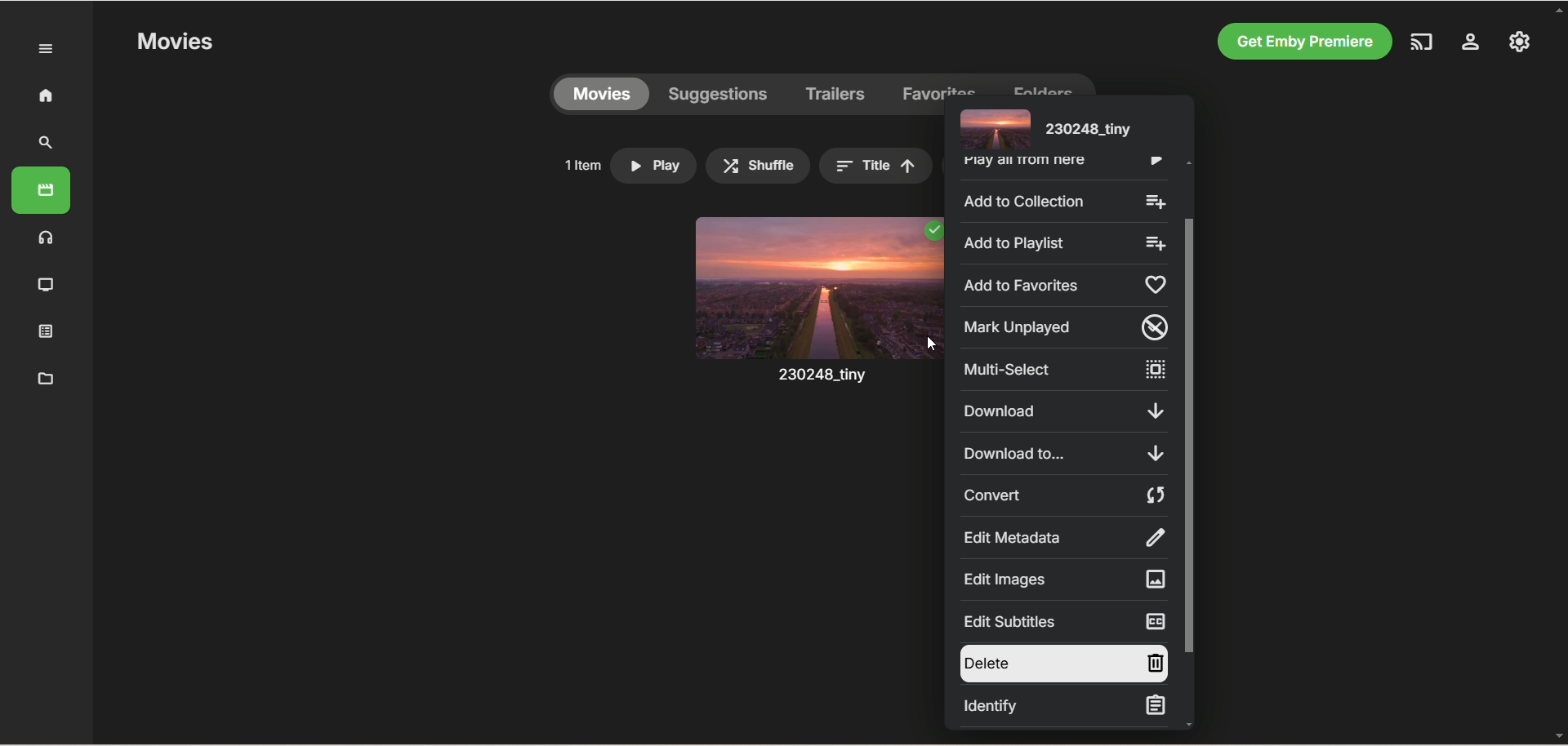 The width and height of the screenshot is (1568, 746). What do you see at coordinates (719, 95) in the screenshot?
I see `suggestions` at bounding box center [719, 95].